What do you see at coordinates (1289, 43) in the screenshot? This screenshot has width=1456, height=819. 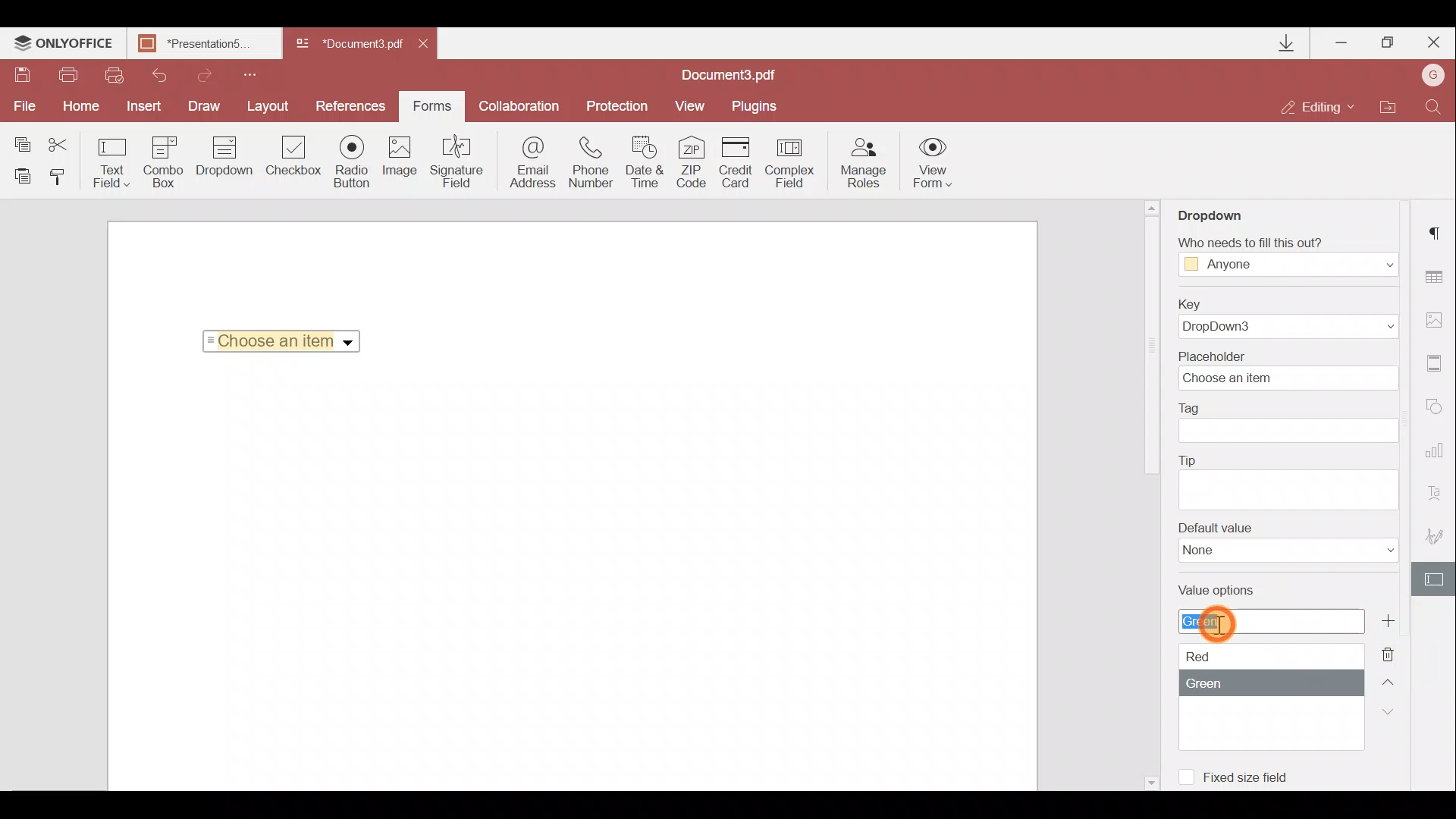 I see `Downloads` at bounding box center [1289, 43].